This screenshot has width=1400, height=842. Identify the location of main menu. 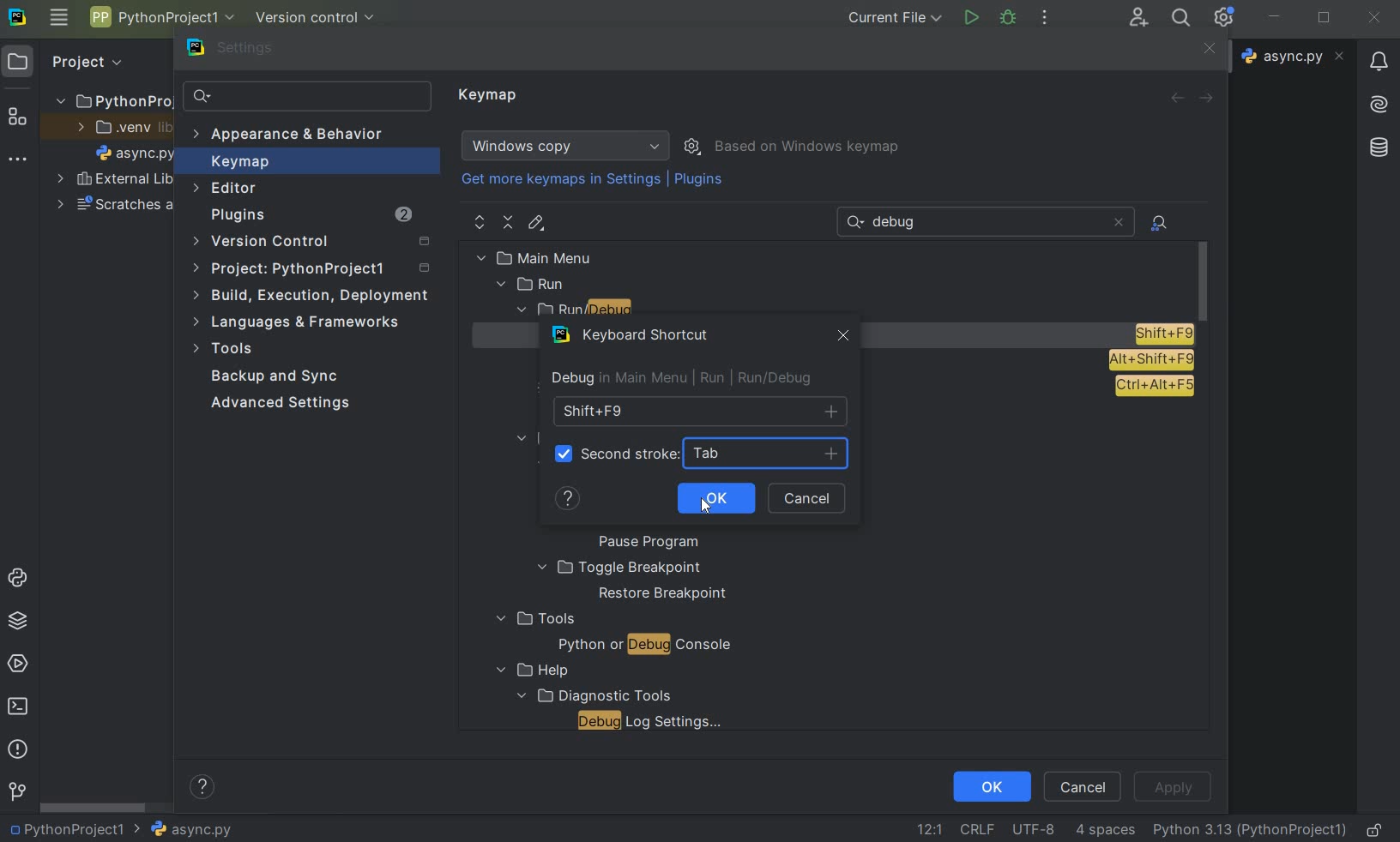
(571, 257).